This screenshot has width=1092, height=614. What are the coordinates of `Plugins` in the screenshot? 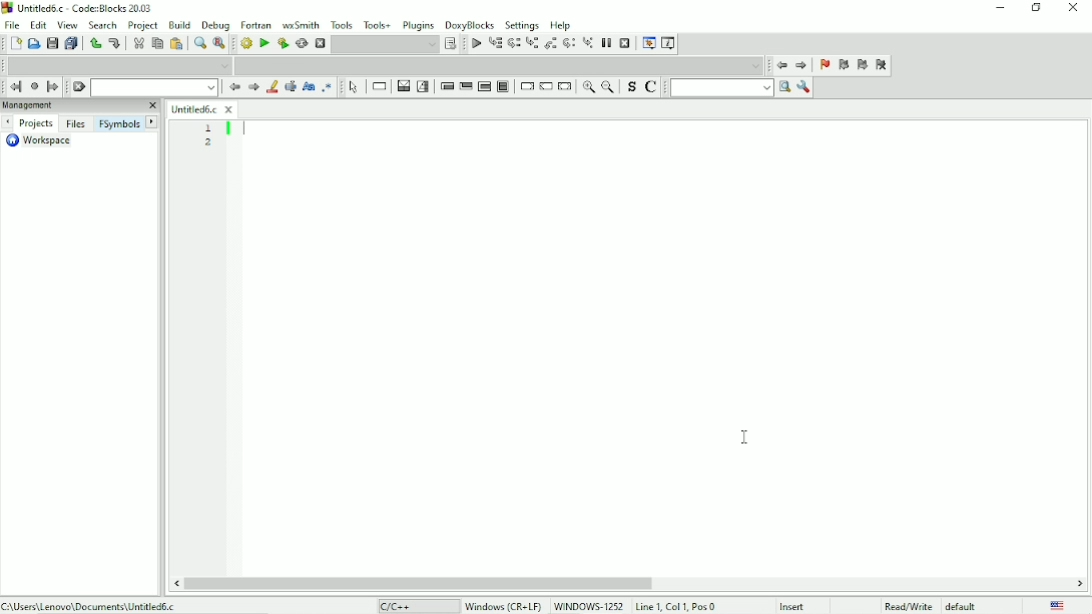 It's located at (417, 25).